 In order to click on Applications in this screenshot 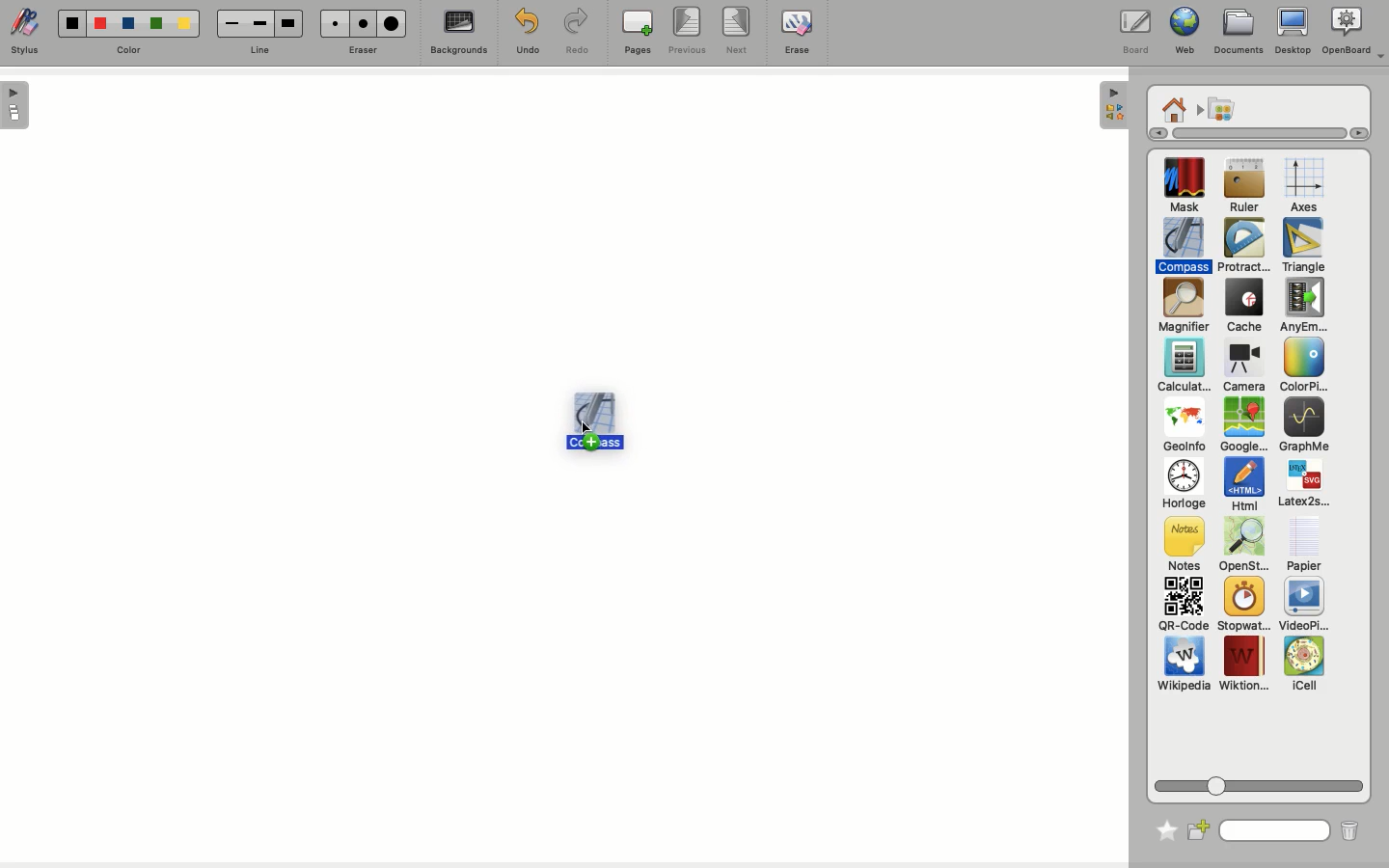, I will do `click(1221, 110)`.